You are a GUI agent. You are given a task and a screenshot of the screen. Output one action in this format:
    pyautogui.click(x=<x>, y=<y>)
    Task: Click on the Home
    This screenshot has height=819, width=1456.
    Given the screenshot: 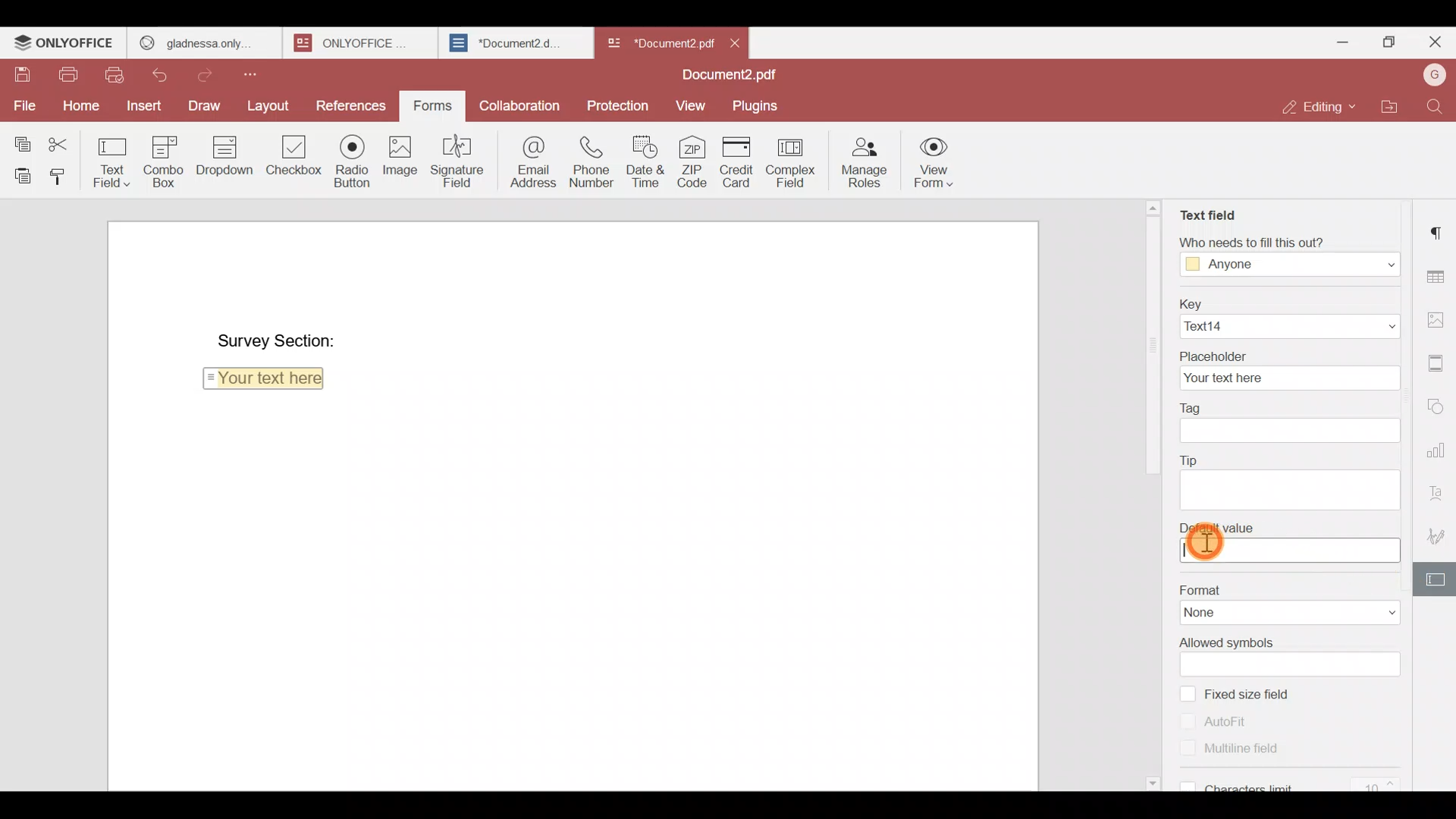 What is the action you would take?
    pyautogui.click(x=79, y=104)
    